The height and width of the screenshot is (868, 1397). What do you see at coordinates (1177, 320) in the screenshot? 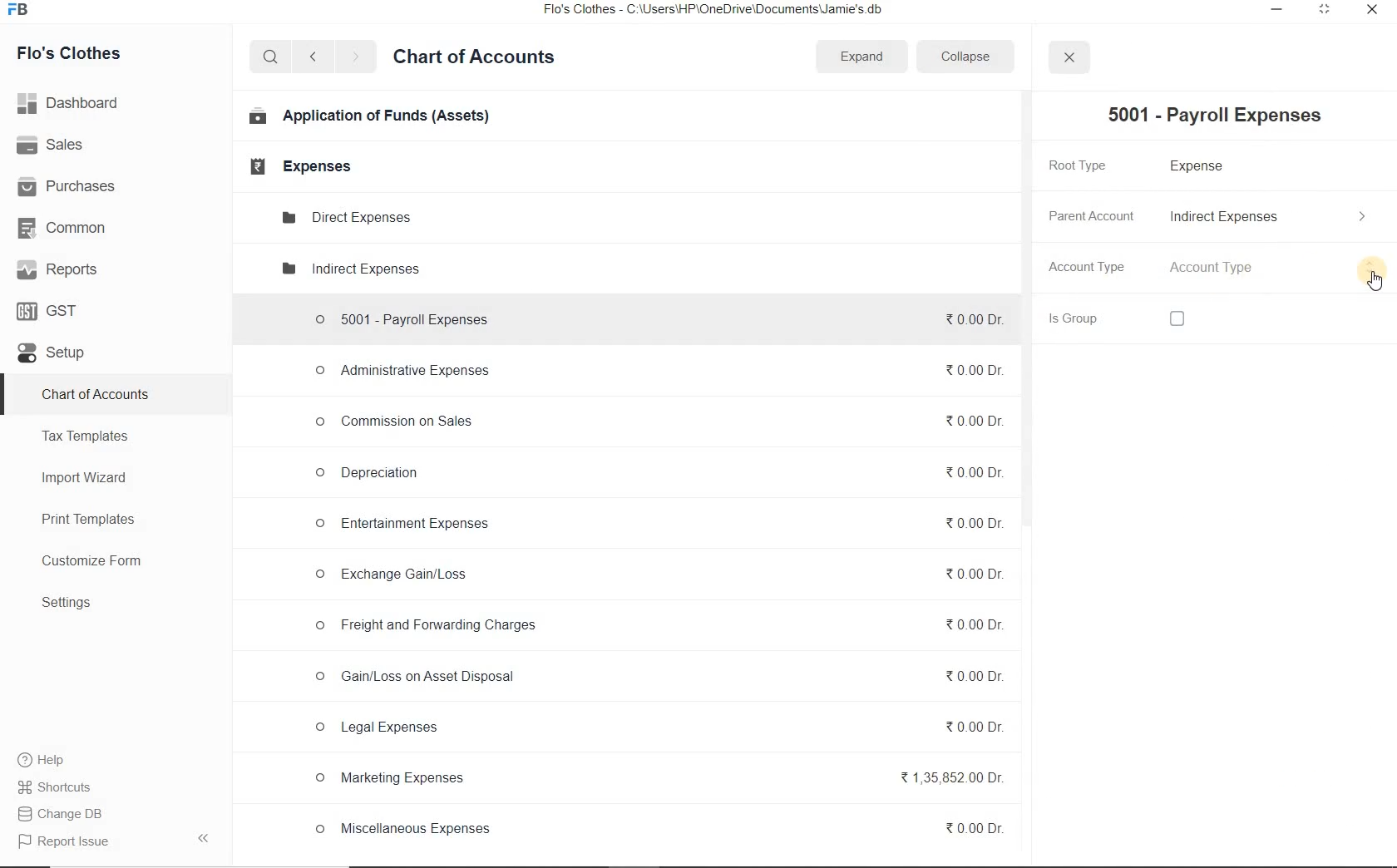
I see `checkbox` at bounding box center [1177, 320].